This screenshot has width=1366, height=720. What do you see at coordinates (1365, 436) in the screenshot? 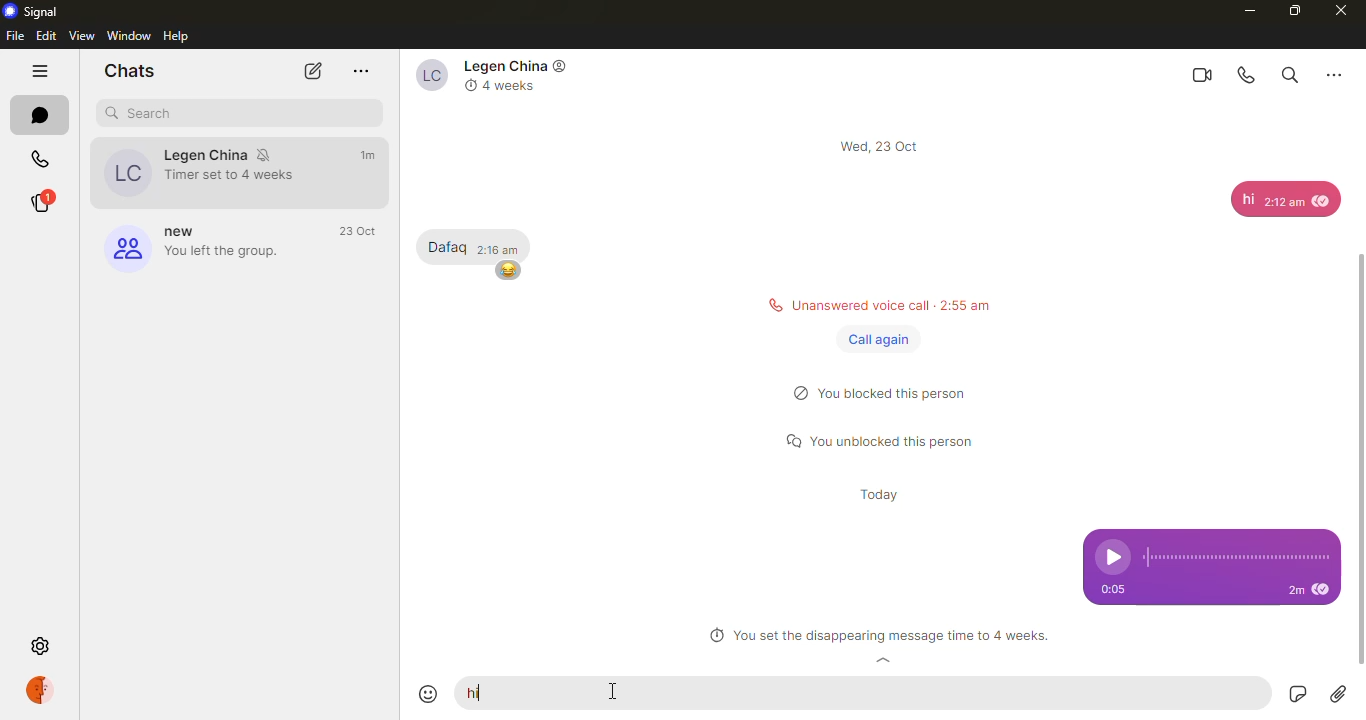
I see `scroll bar` at bounding box center [1365, 436].